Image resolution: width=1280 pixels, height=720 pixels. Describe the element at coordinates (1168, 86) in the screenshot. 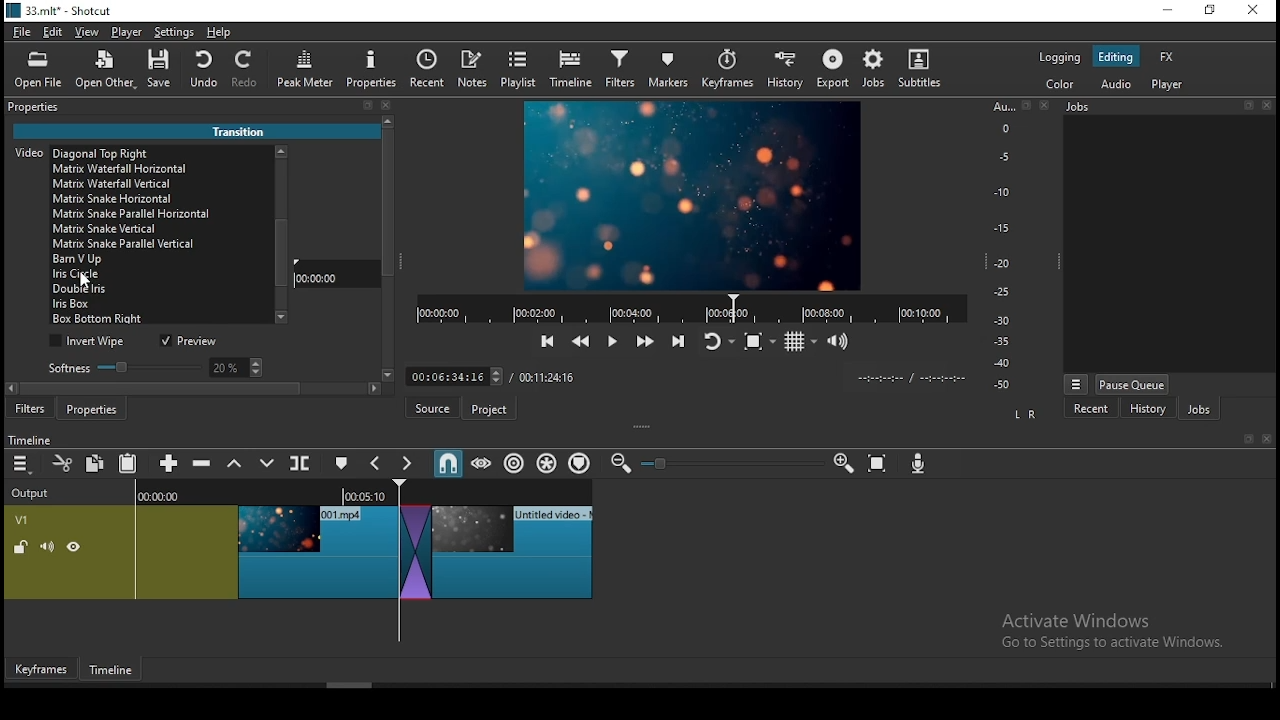

I see `player` at that location.